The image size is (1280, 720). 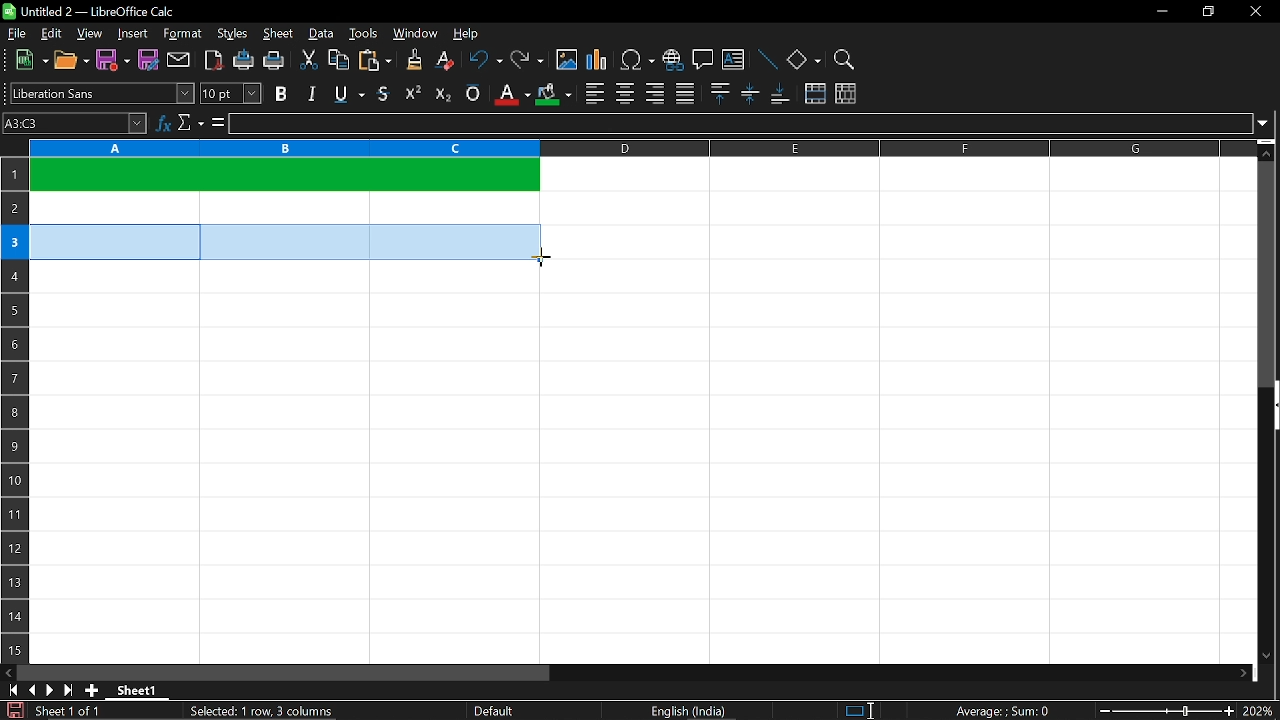 What do you see at coordinates (654, 94) in the screenshot?
I see `align right` at bounding box center [654, 94].